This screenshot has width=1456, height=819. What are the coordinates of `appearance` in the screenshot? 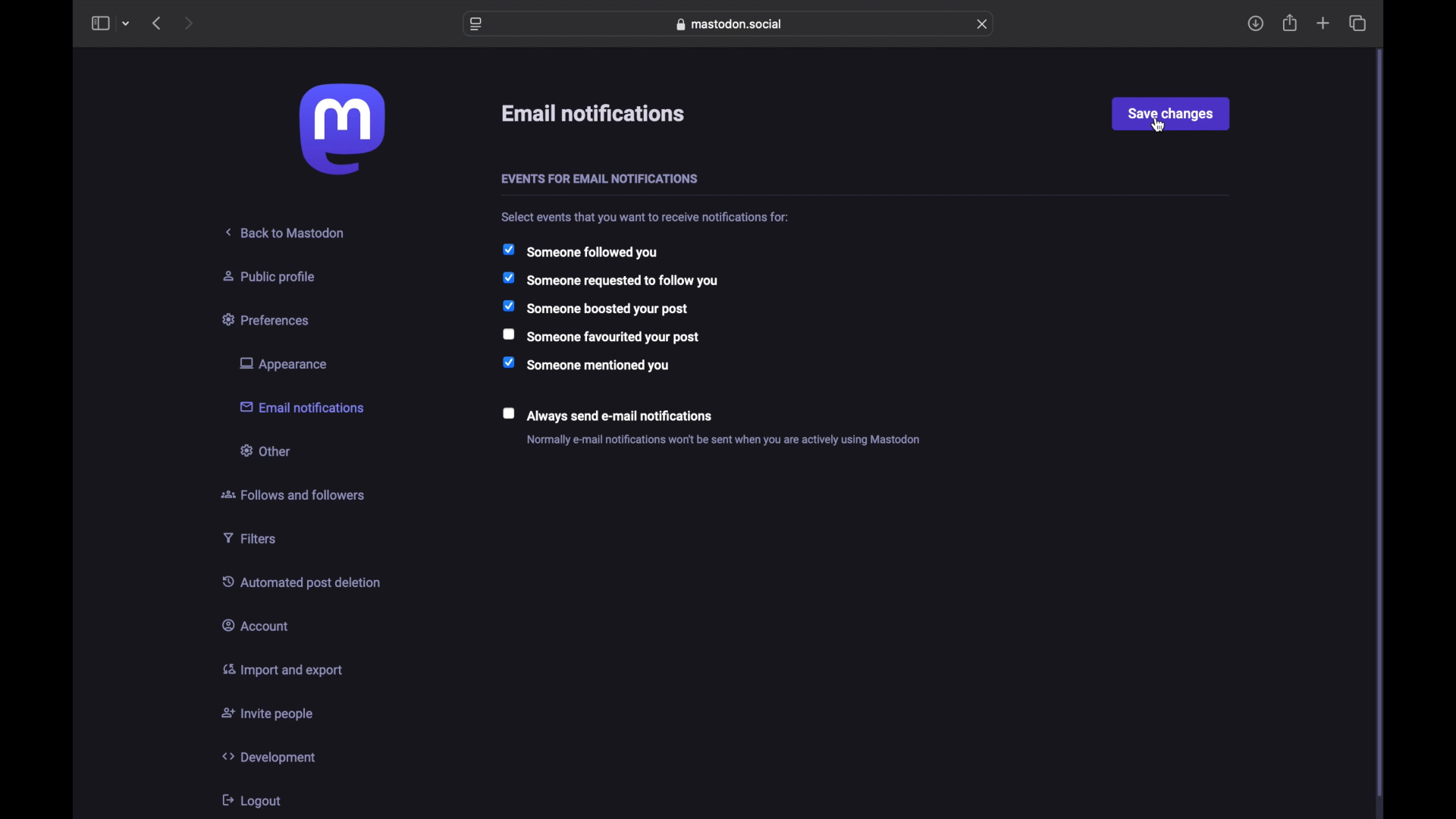 It's located at (282, 364).